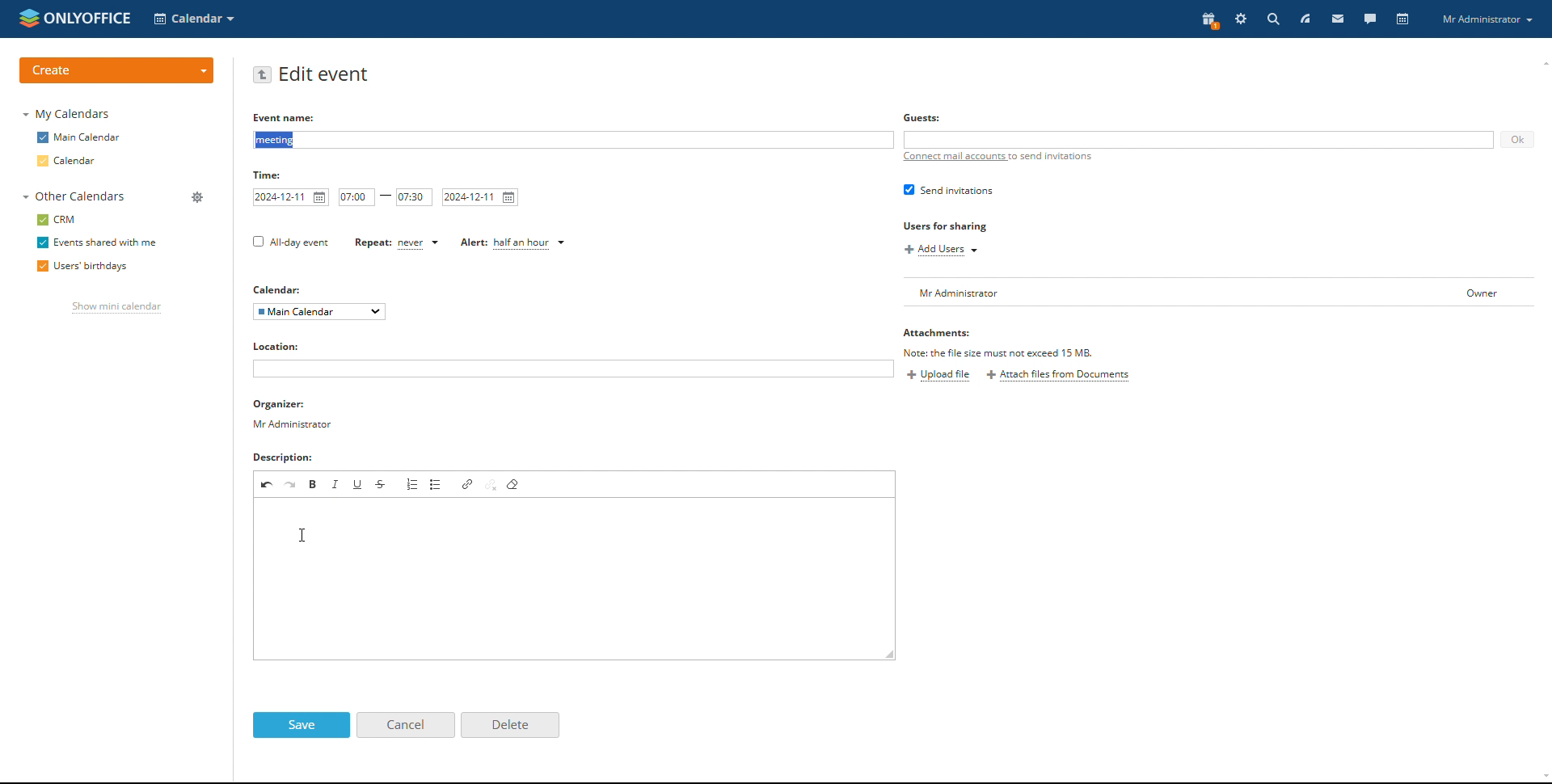  I want to click on all-day event checkbox, so click(289, 243).